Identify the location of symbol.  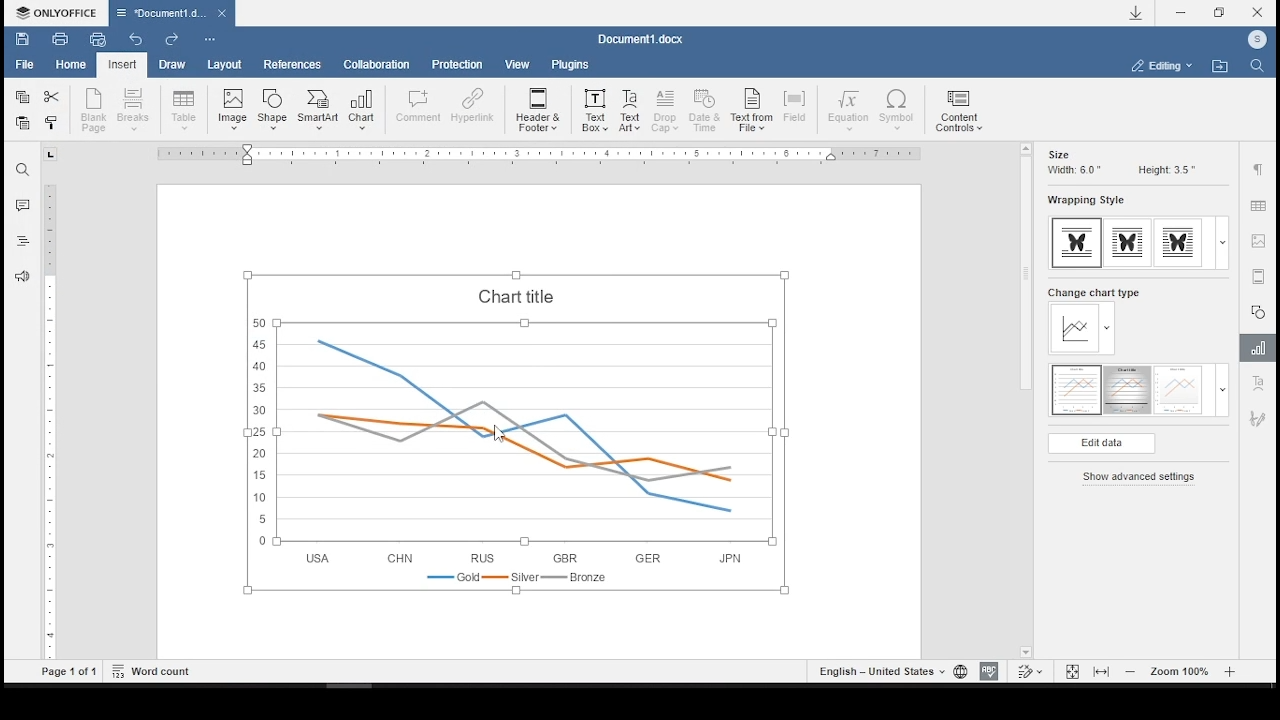
(899, 111).